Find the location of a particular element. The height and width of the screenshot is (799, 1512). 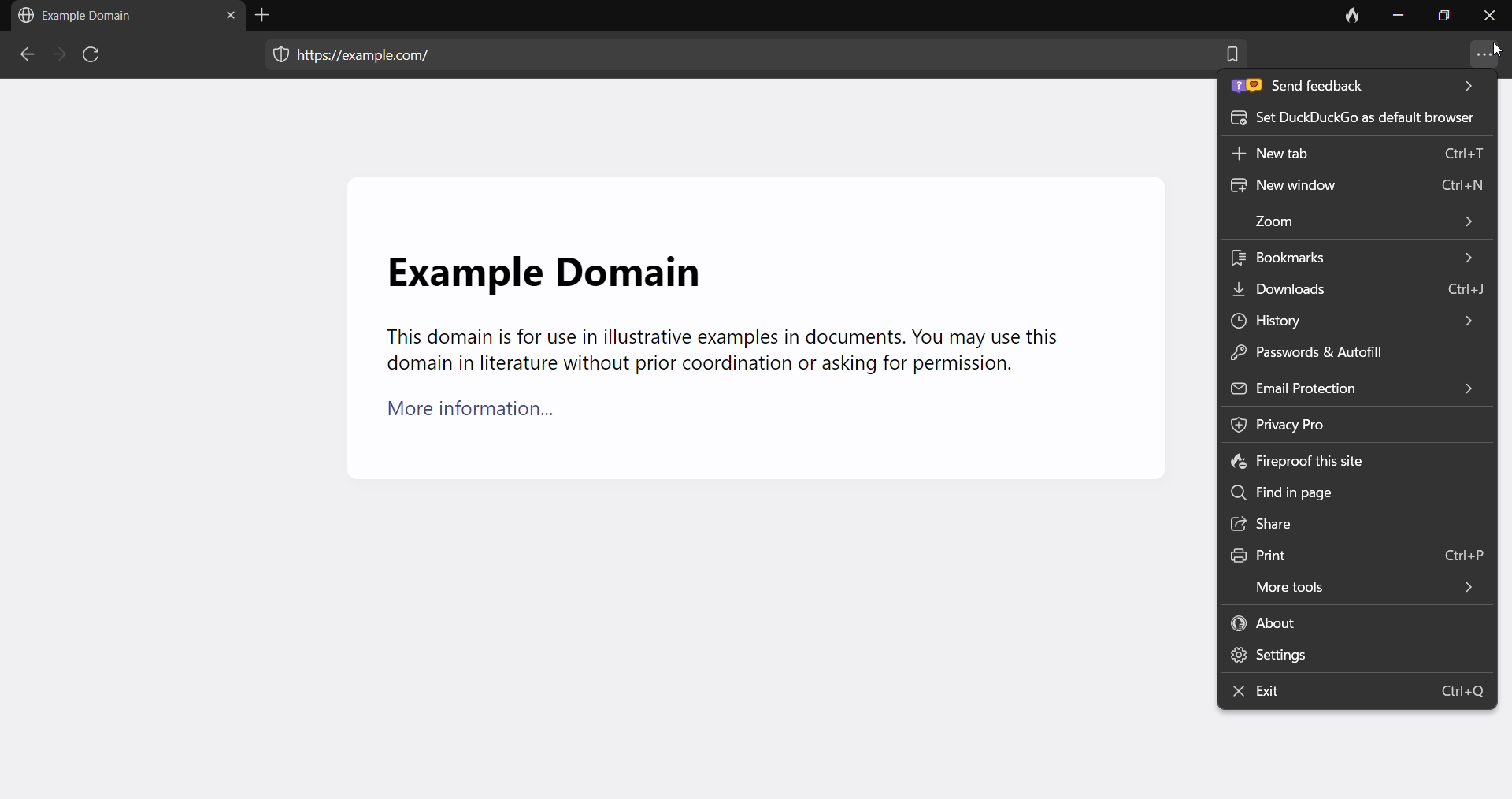

downloads is located at coordinates (1360, 287).